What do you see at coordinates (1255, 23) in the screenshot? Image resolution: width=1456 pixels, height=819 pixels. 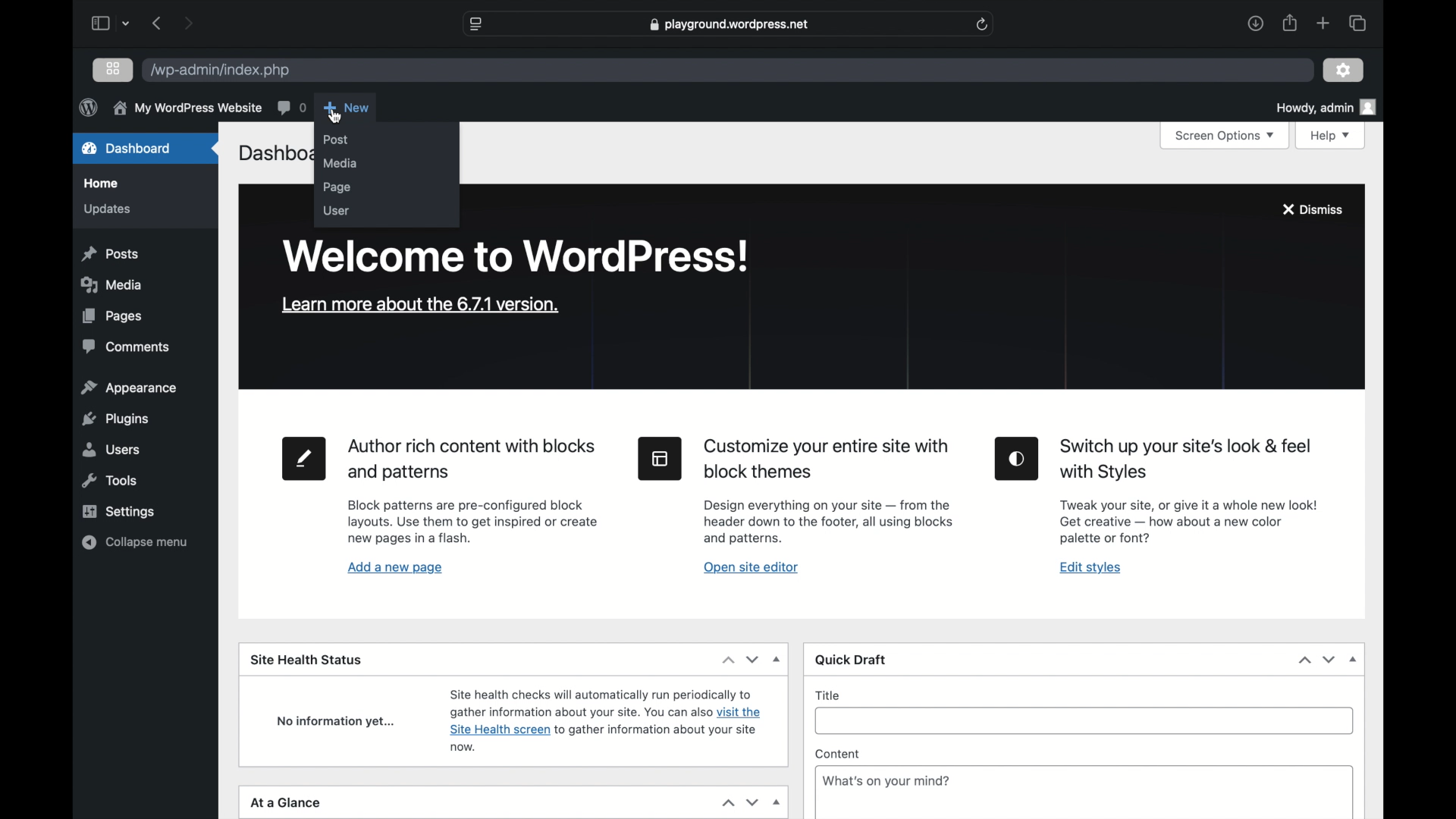 I see `downloads` at bounding box center [1255, 23].